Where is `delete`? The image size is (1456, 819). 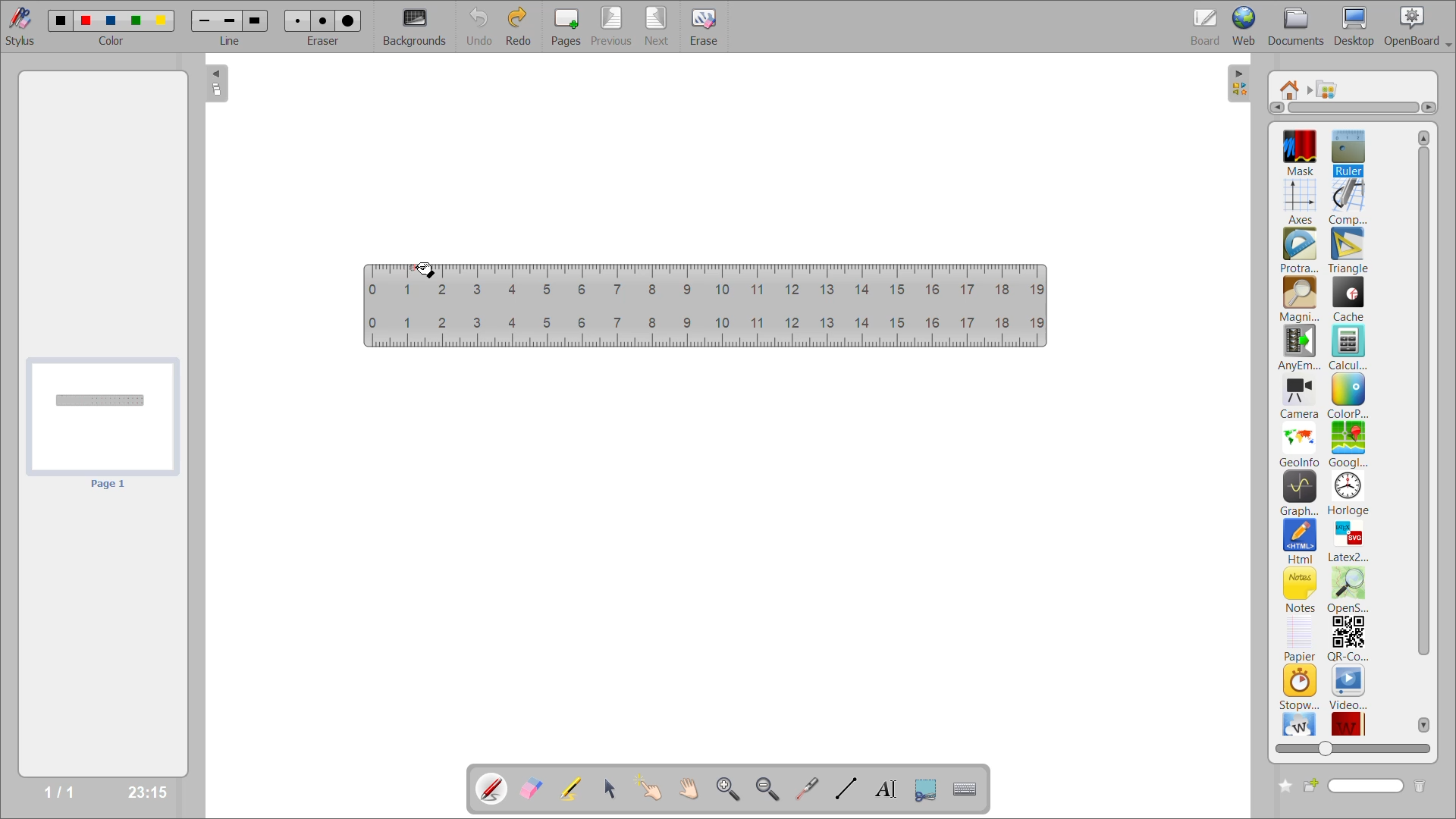 delete is located at coordinates (1420, 786).